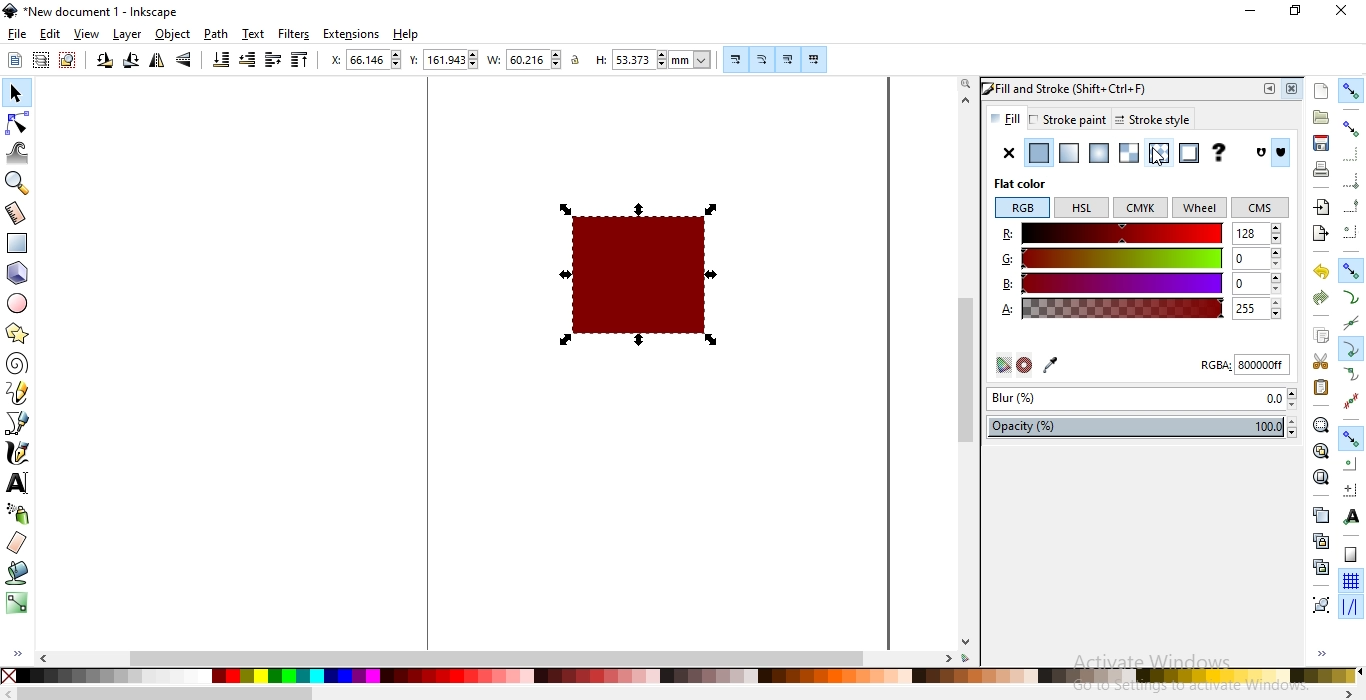 The image size is (1366, 700). Describe the element at coordinates (452, 60) in the screenshot. I see `161.943` at that location.